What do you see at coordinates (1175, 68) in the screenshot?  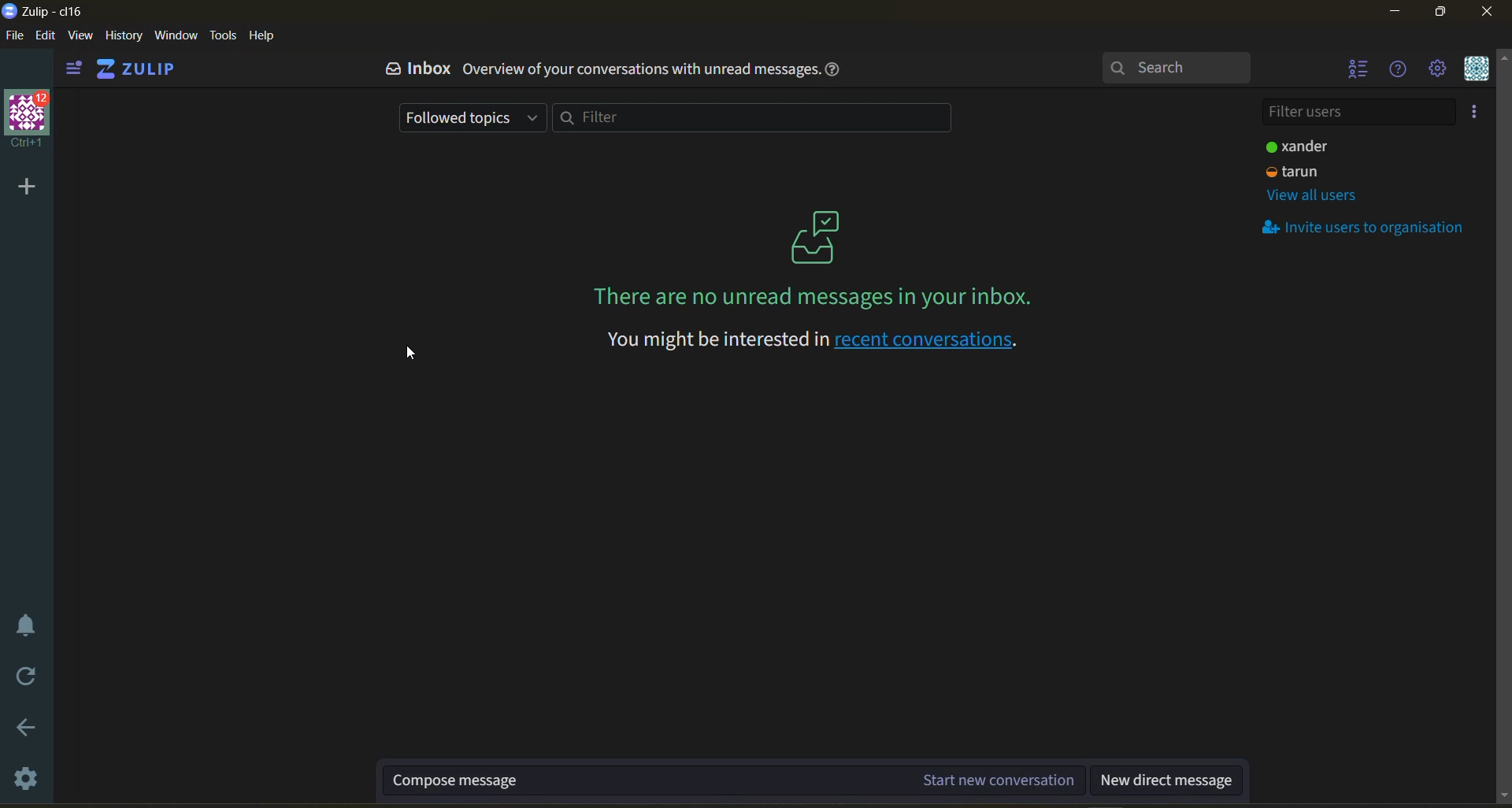 I see `search` at bounding box center [1175, 68].